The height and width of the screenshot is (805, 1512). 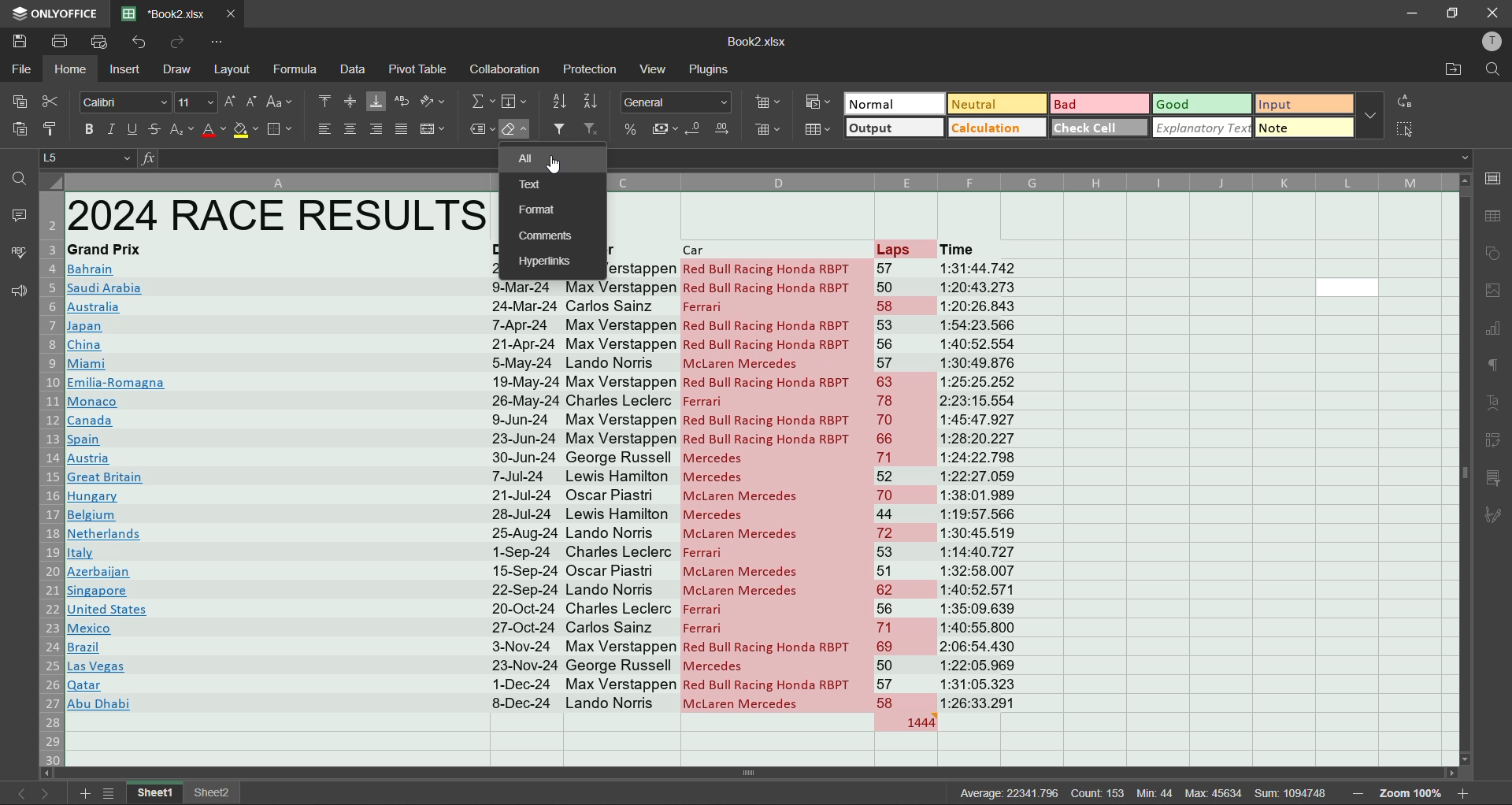 I want to click on pivot table, so click(x=1494, y=442).